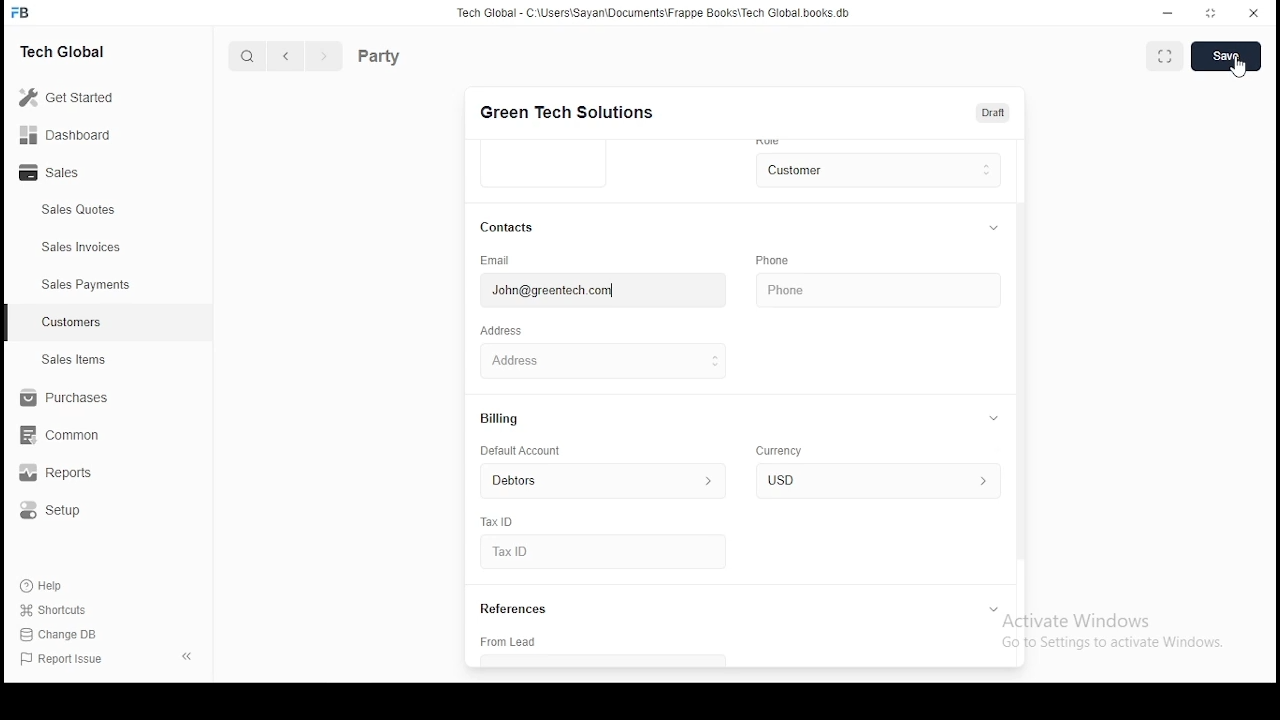  What do you see at coordinates (65, 660) in the screenshot?
I see `Report issue` at bounding box center [65, 660].